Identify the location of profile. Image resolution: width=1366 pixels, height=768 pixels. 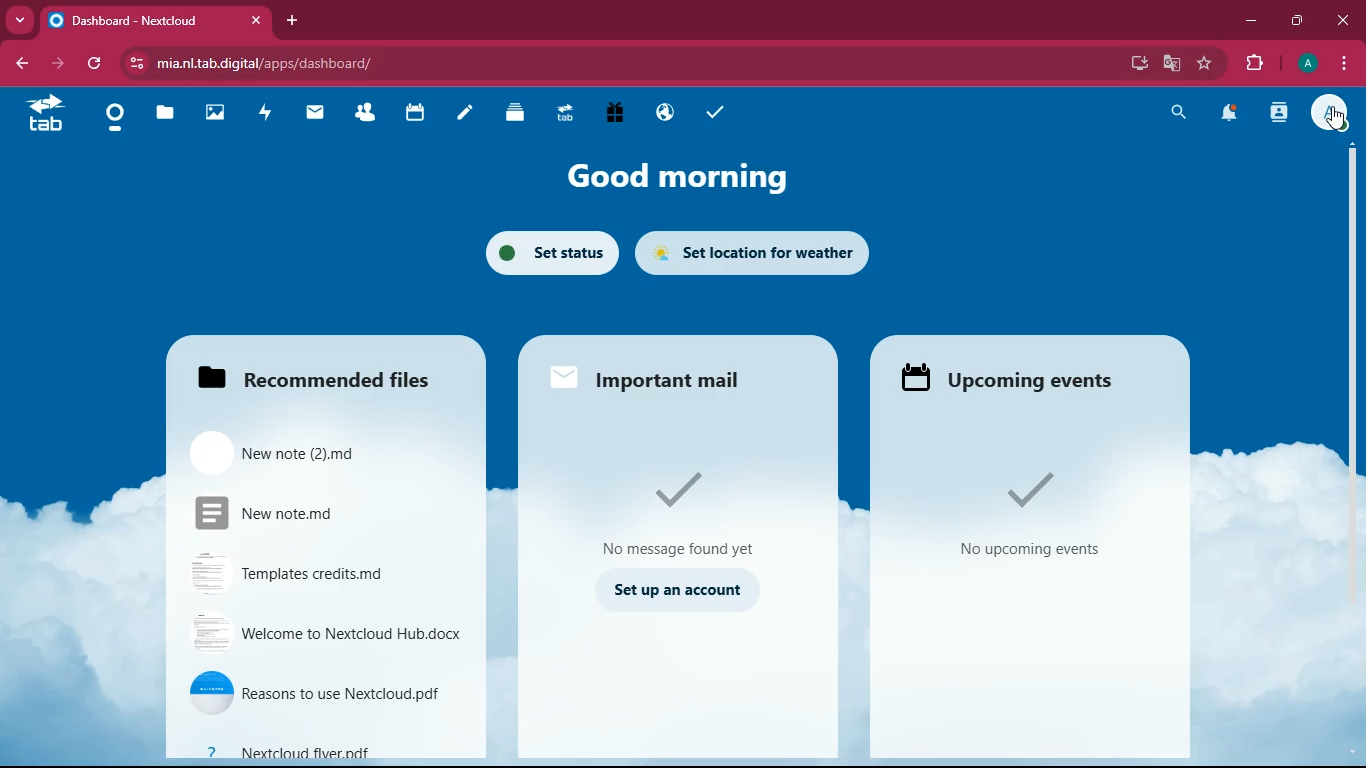
(1330, 114).